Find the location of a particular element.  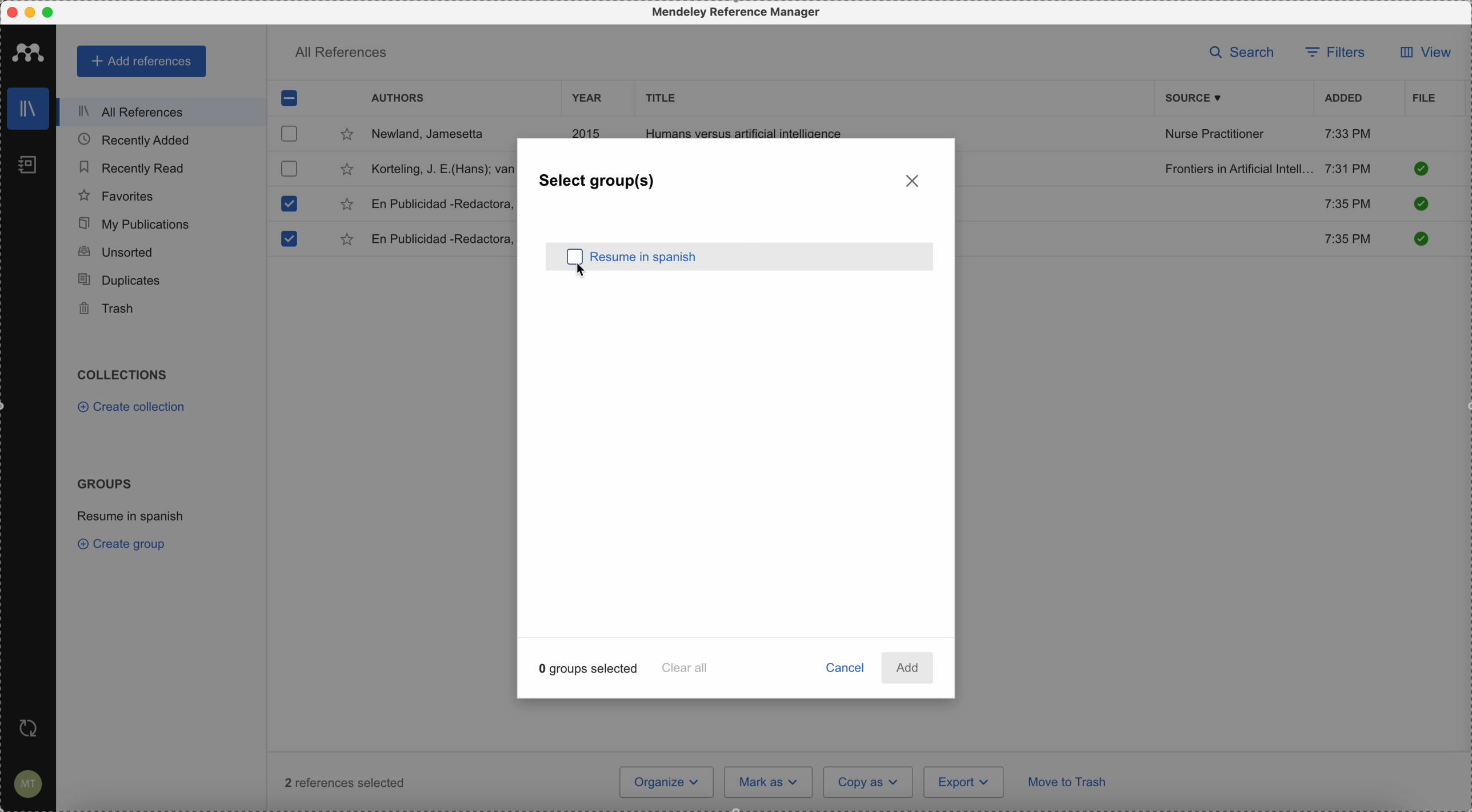

add is located at coordinates (907, 668).